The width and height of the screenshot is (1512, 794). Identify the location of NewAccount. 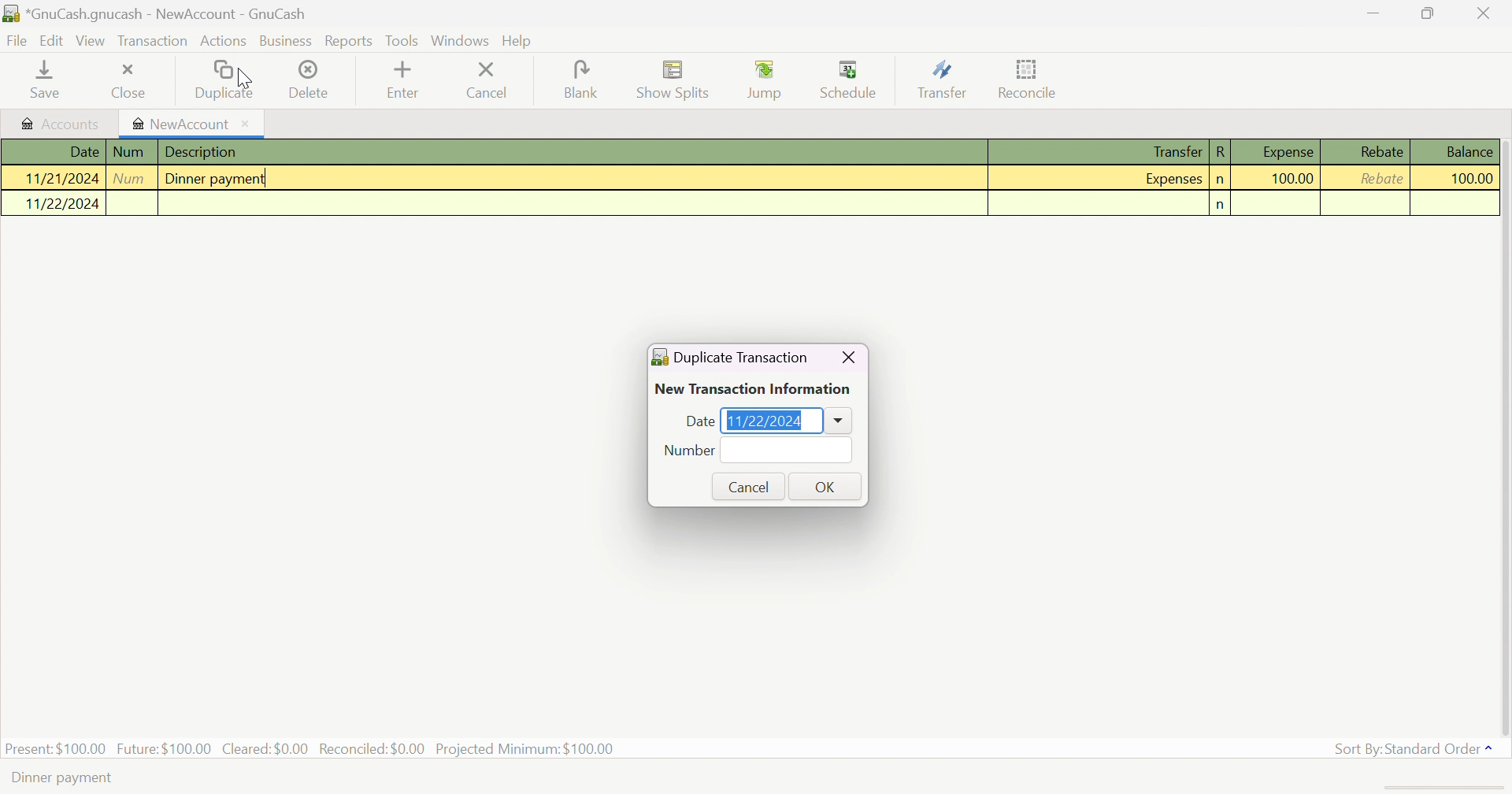
(191, 124).